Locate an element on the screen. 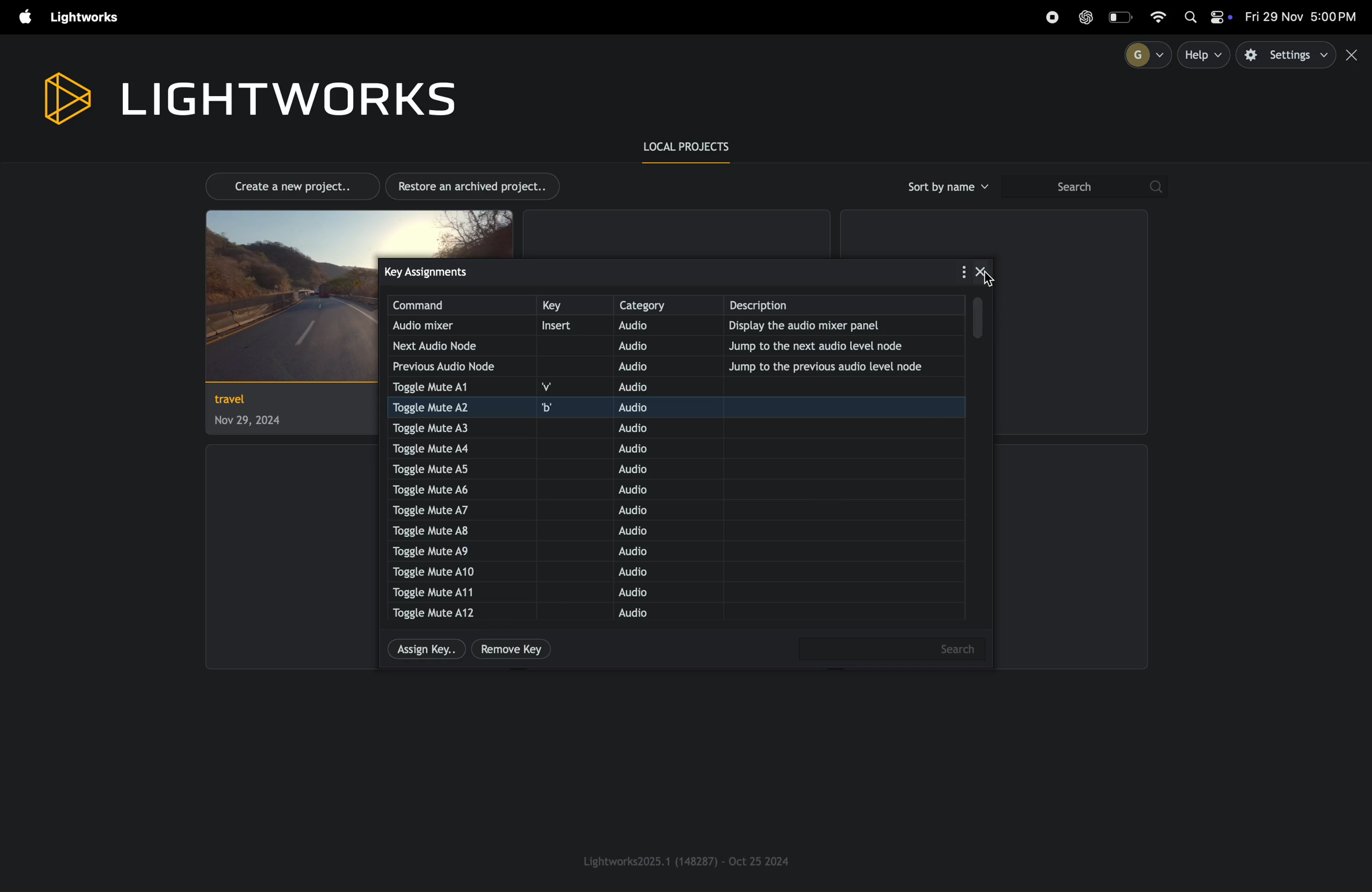  search is located at coordinates (1083, 187).